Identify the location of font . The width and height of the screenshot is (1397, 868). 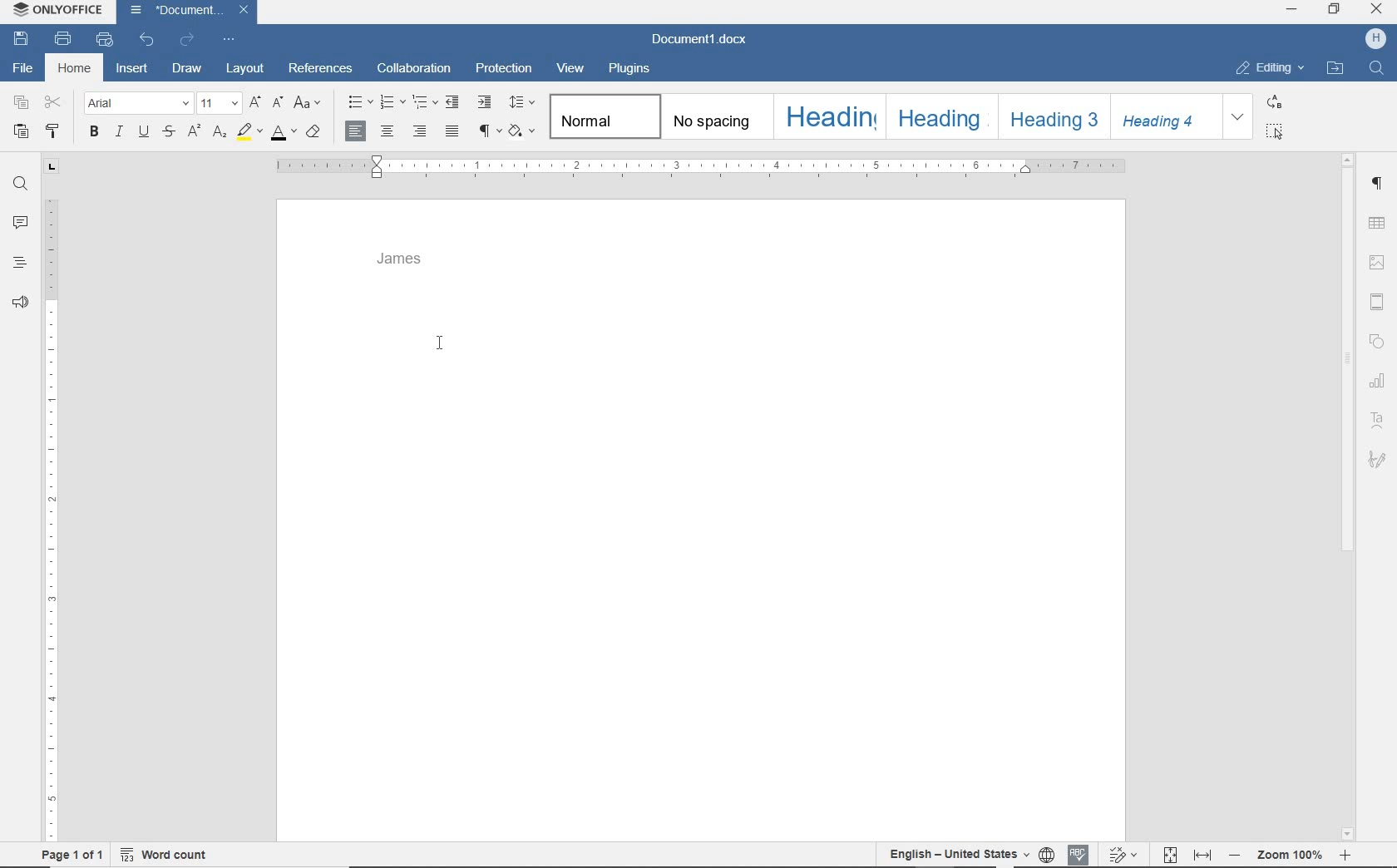
(138, 104).